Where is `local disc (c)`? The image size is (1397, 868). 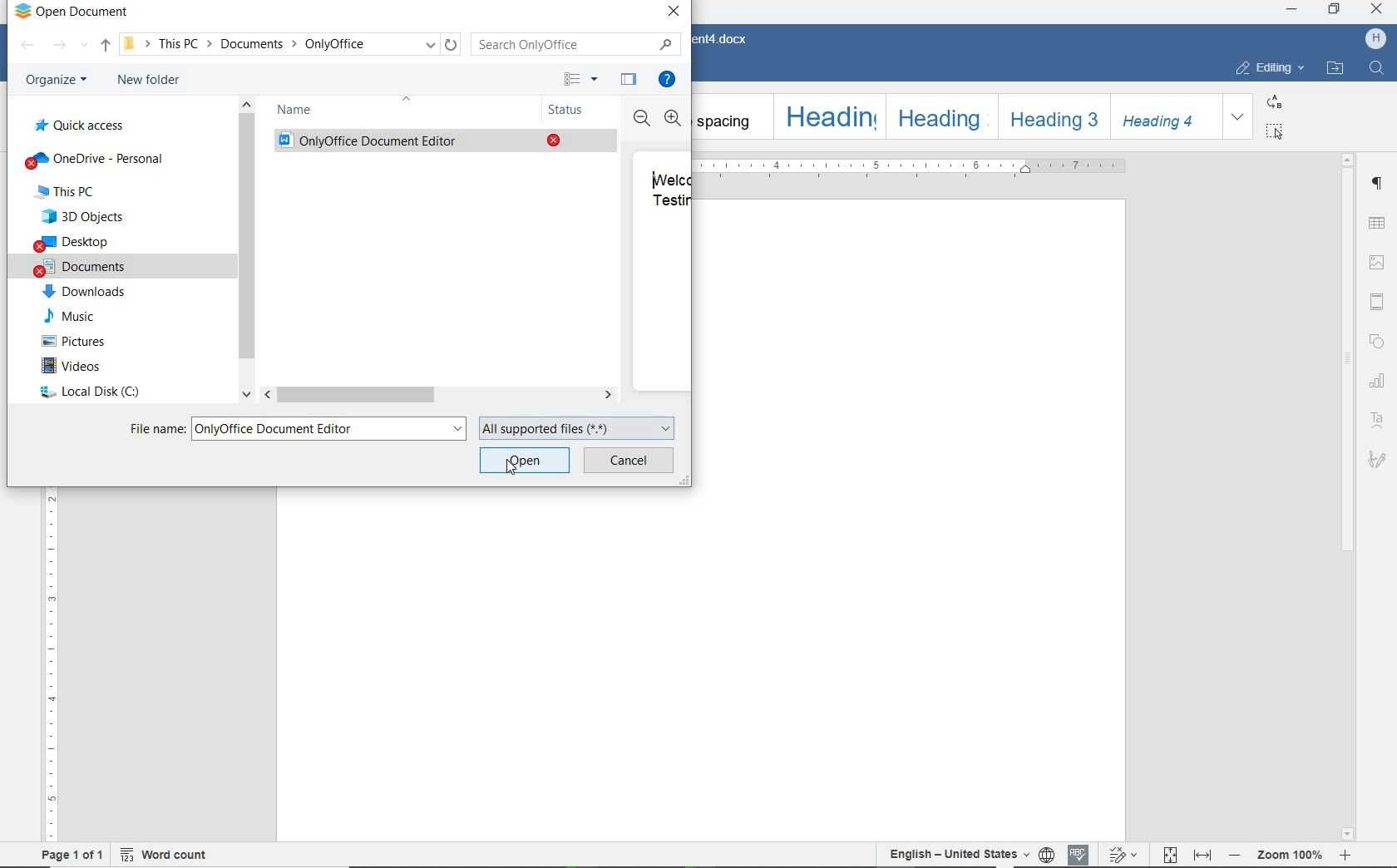 local disc (c) is located at coordinates (79, 394).